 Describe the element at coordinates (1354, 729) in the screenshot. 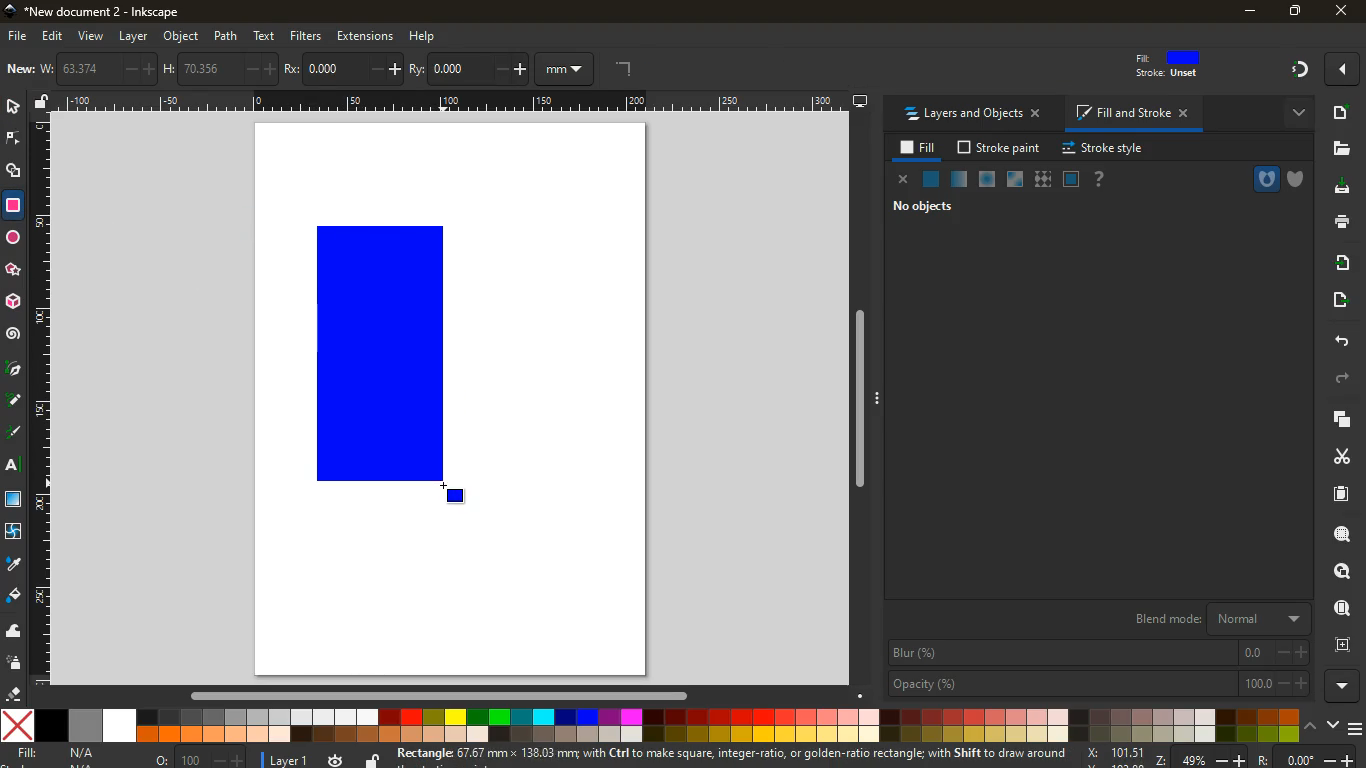

I see `menu` at that location.